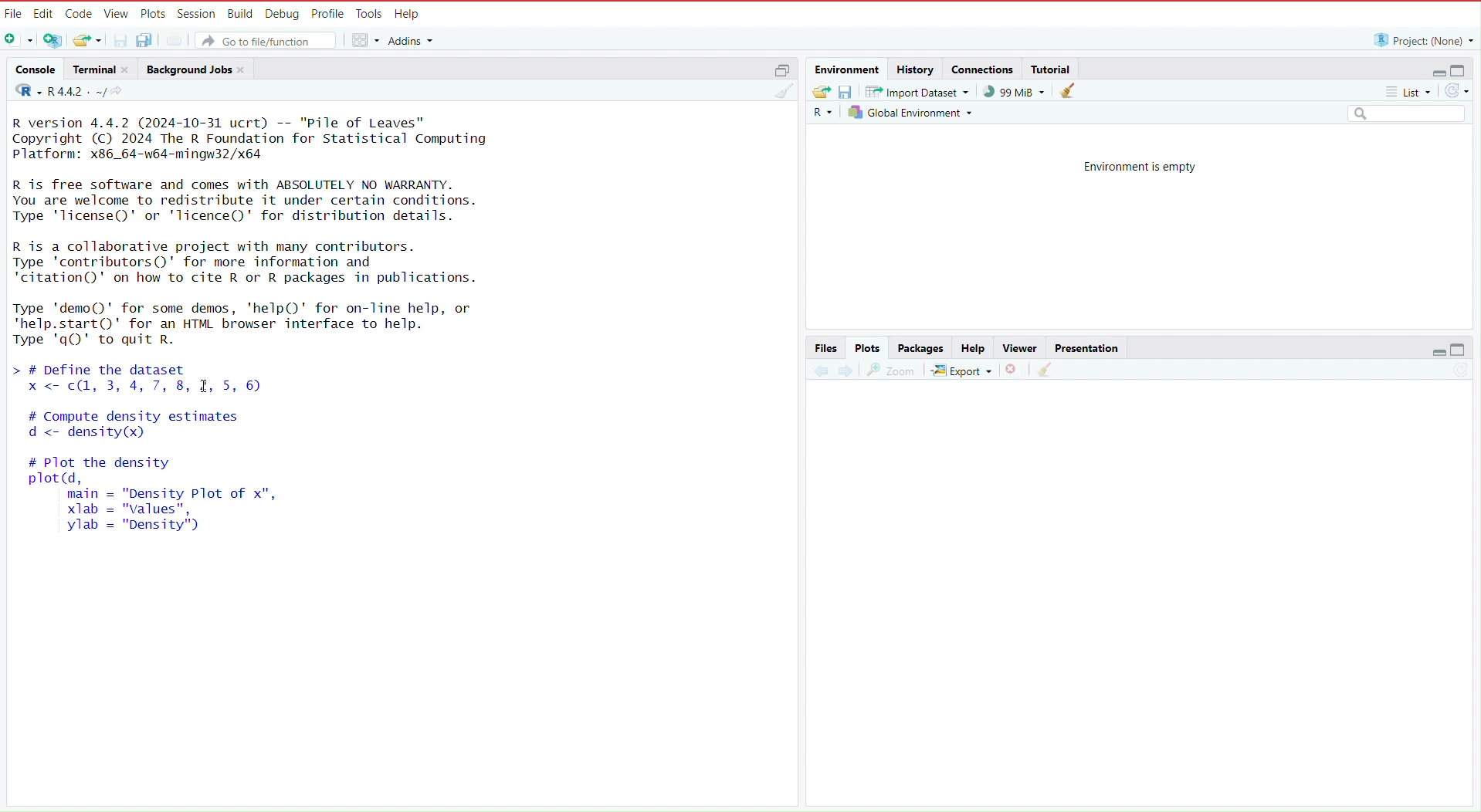 The height and width of the screenshot is (812, 1481). Describe the element at coordinates (961, 370) in the screenshot. I see `export` at that location.